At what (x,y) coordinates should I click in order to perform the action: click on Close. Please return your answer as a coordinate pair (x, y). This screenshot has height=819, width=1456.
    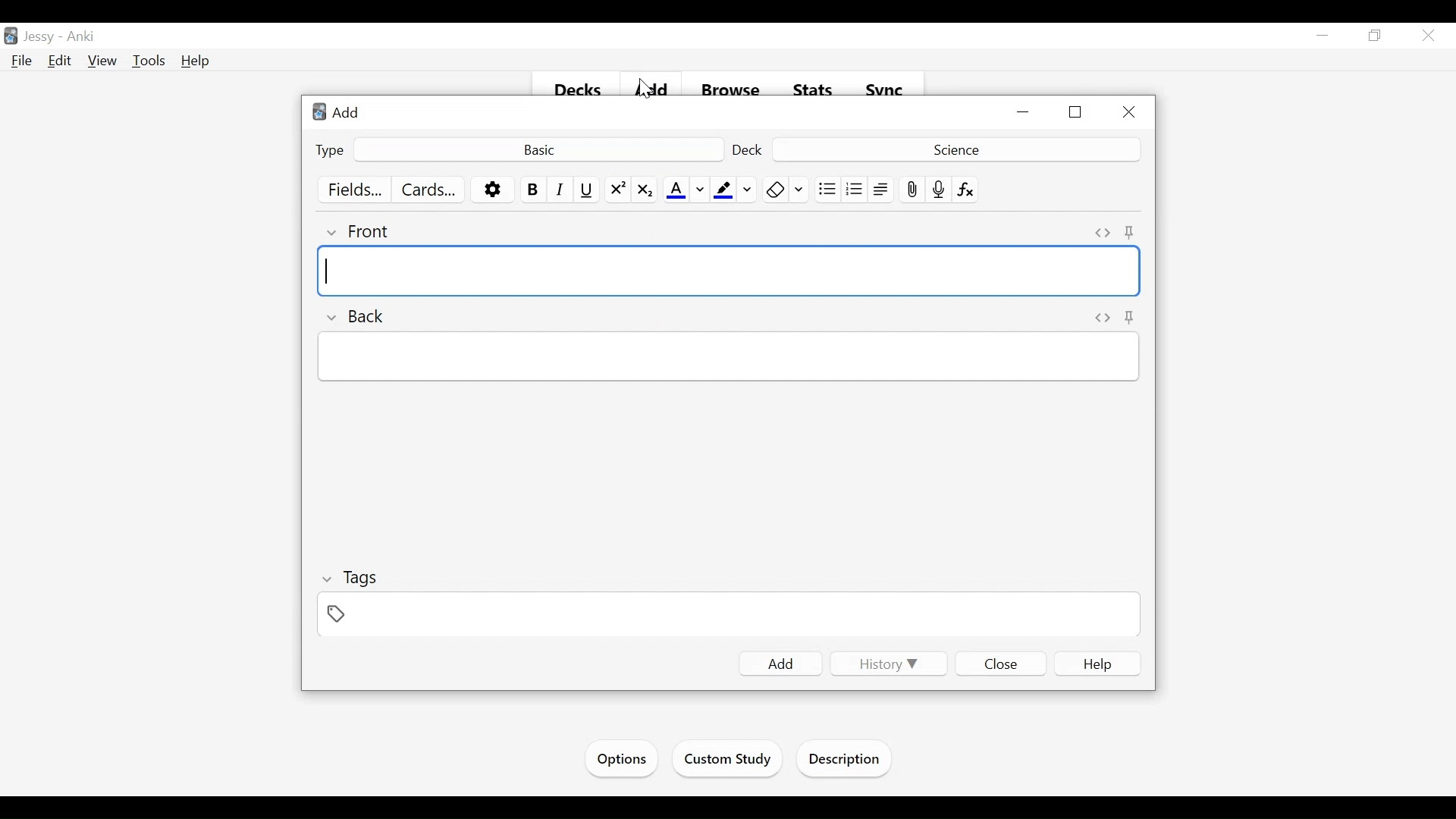
    Looking at the image, I should click on (1002, 663).